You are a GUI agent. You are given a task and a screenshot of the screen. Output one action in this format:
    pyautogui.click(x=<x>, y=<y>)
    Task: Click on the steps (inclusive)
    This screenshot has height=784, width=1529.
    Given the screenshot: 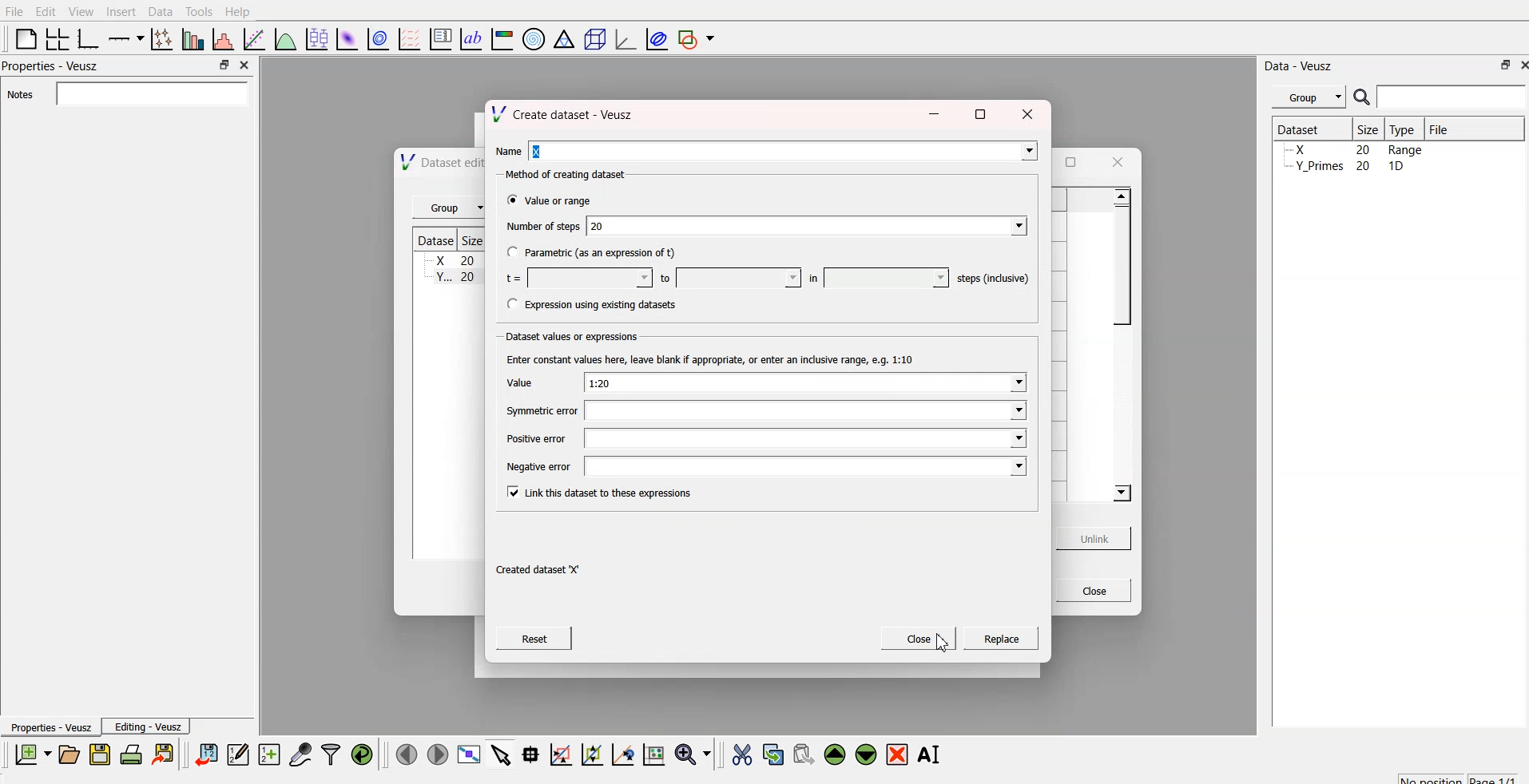 What is the action you would take?
    pyautogui.click(x=992, y=279)
    